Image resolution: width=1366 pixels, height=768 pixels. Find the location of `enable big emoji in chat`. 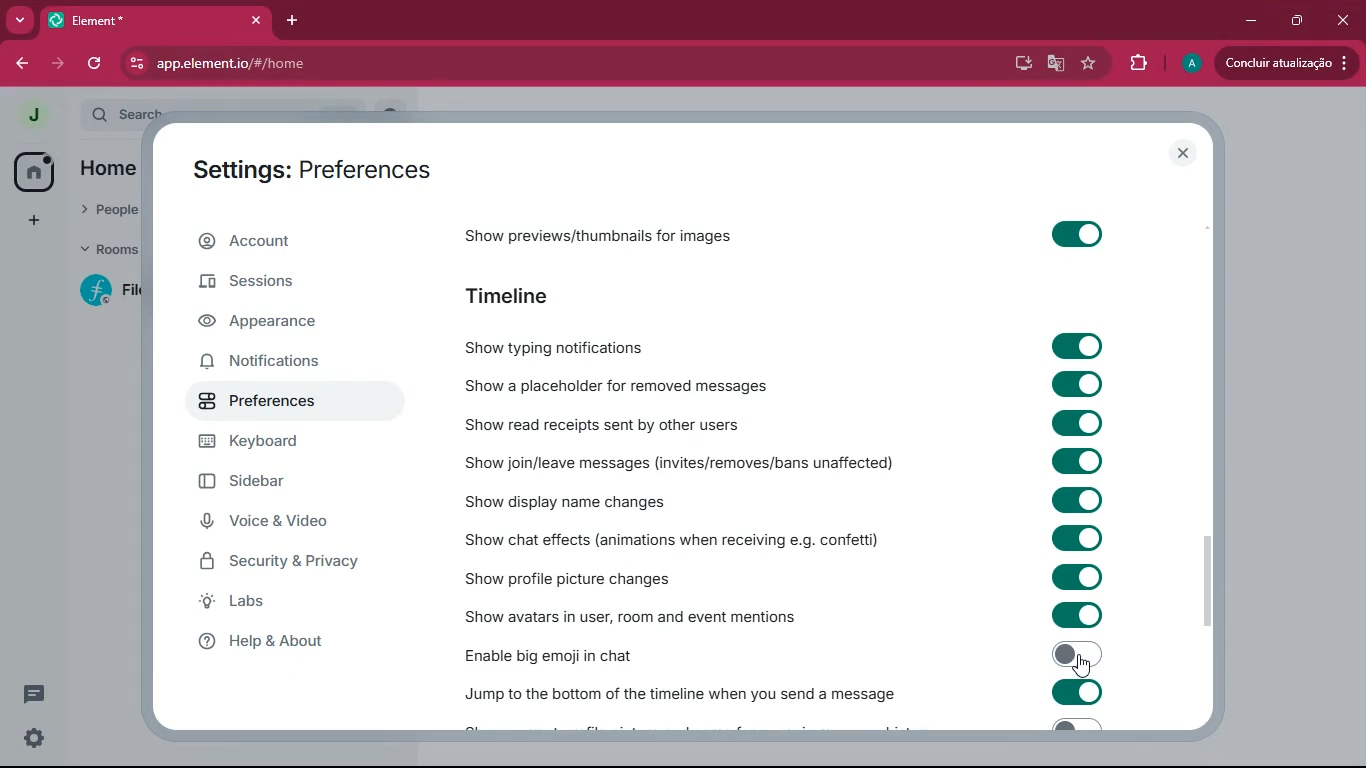

enable big emoji in chat is located at coordinates (582, 651).